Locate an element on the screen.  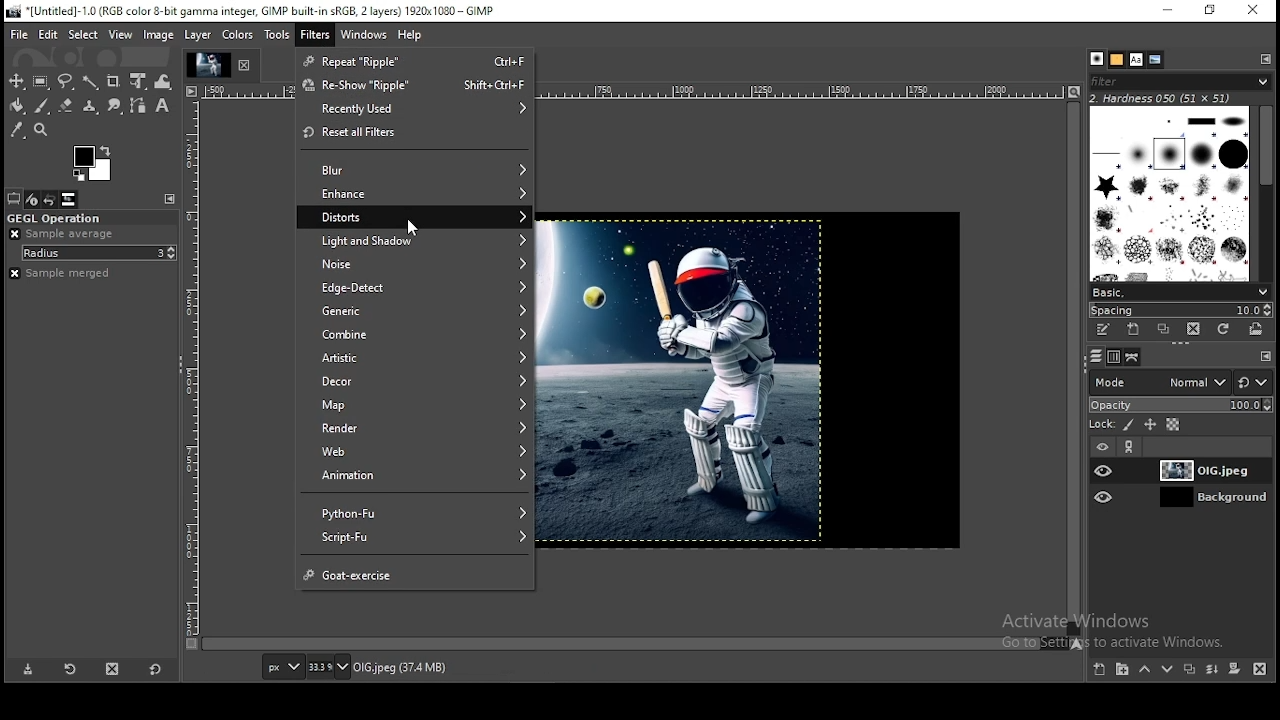
render is located at coordinates (420, 427).